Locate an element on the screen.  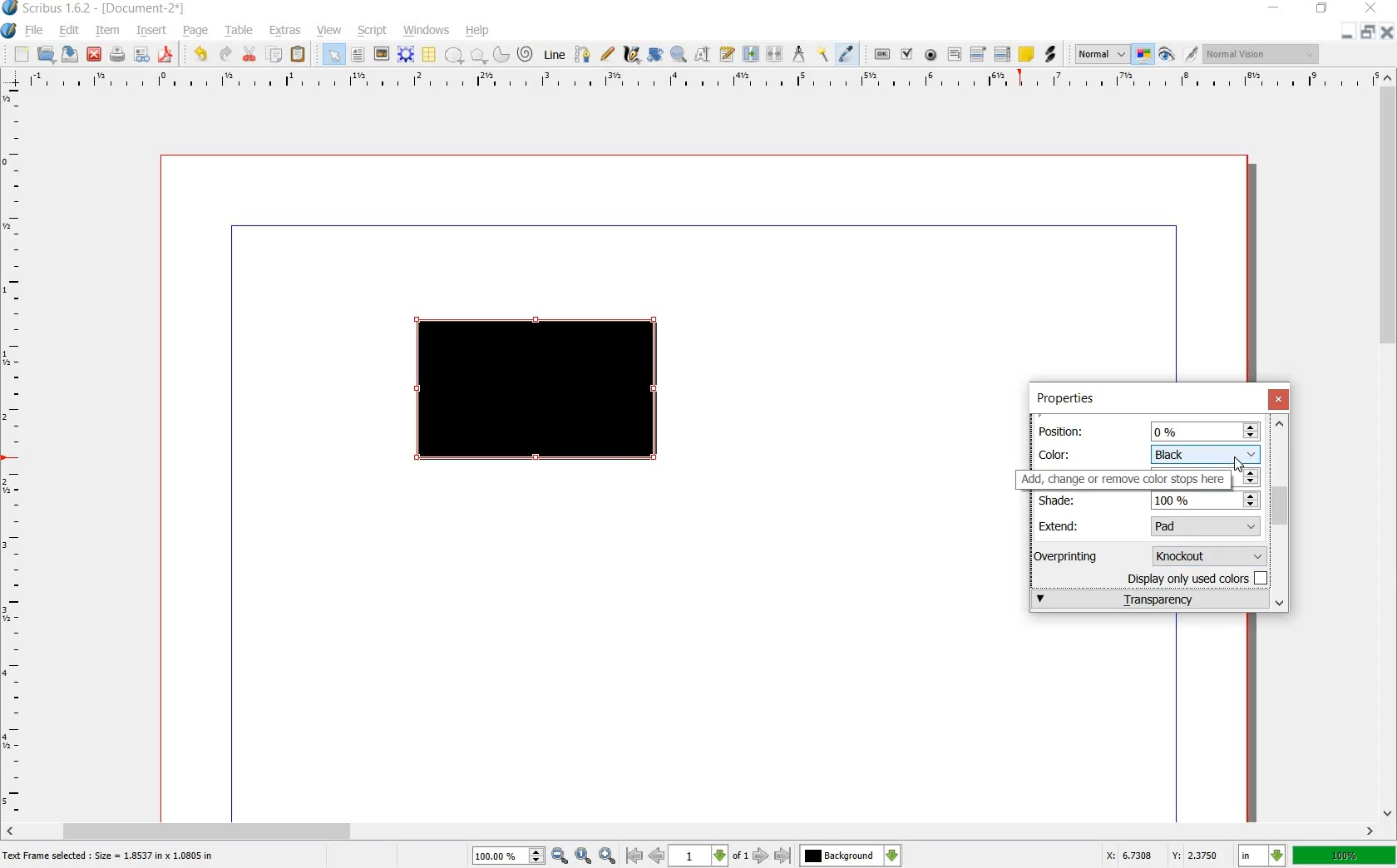
shape is located at coordinates (454, 56).